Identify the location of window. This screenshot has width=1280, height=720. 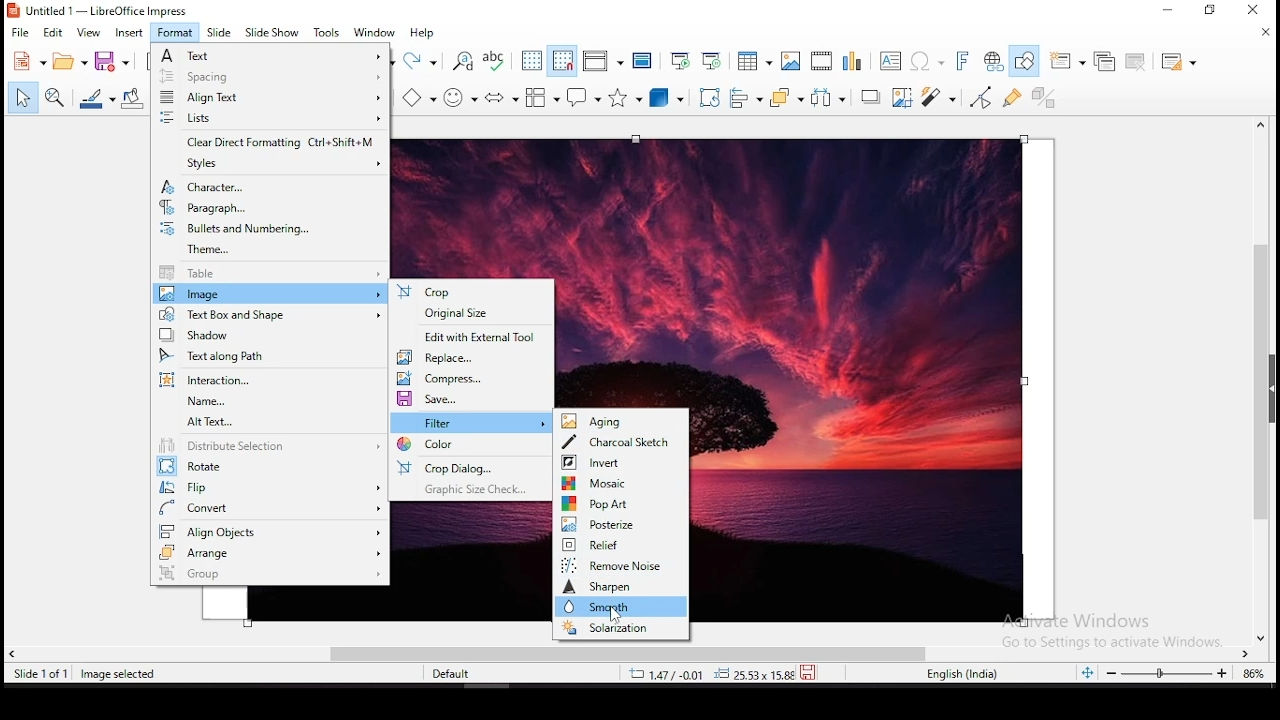
(377, 32).